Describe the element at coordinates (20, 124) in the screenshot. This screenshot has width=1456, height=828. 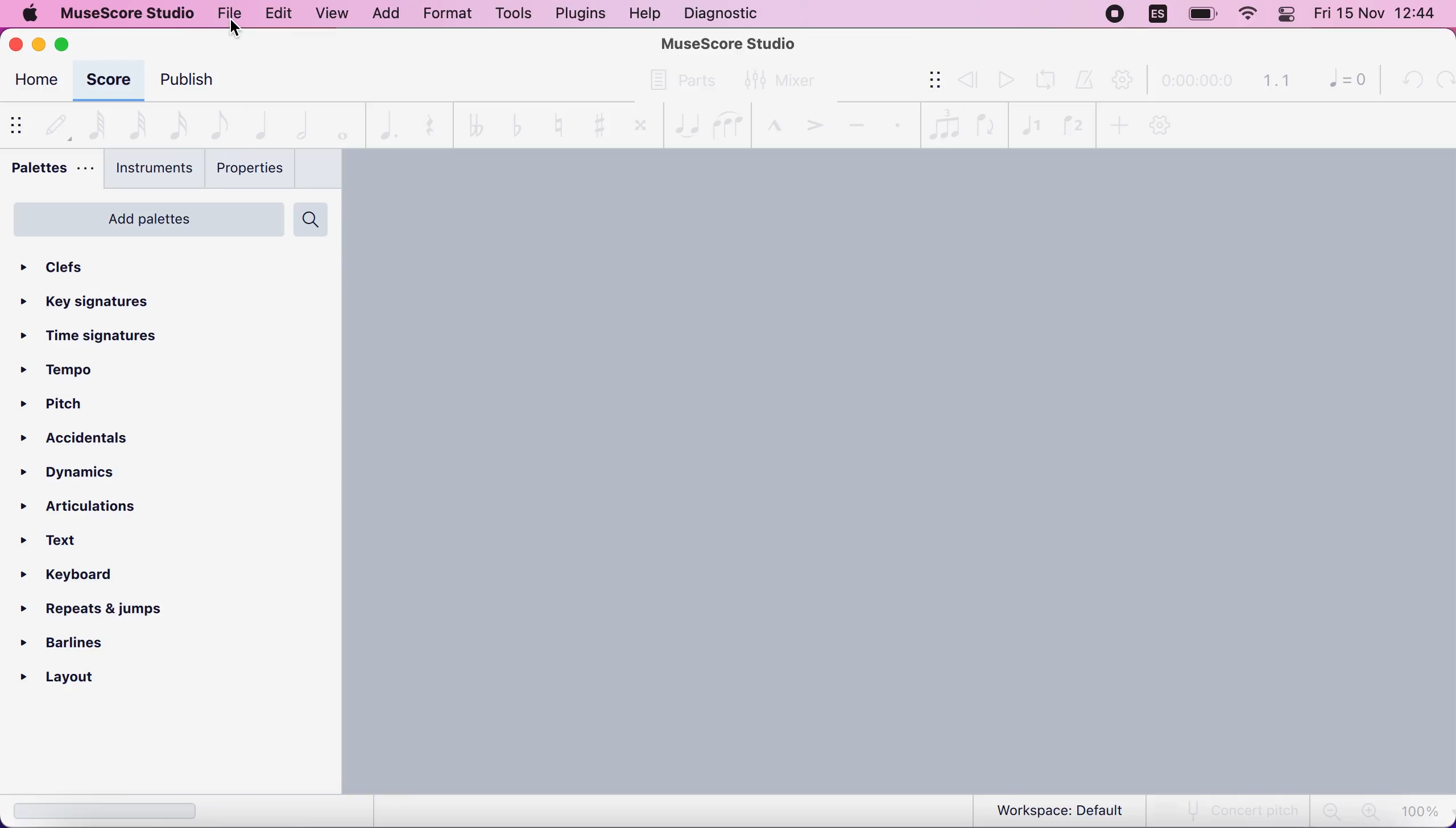
I see `show/hide` at that location.